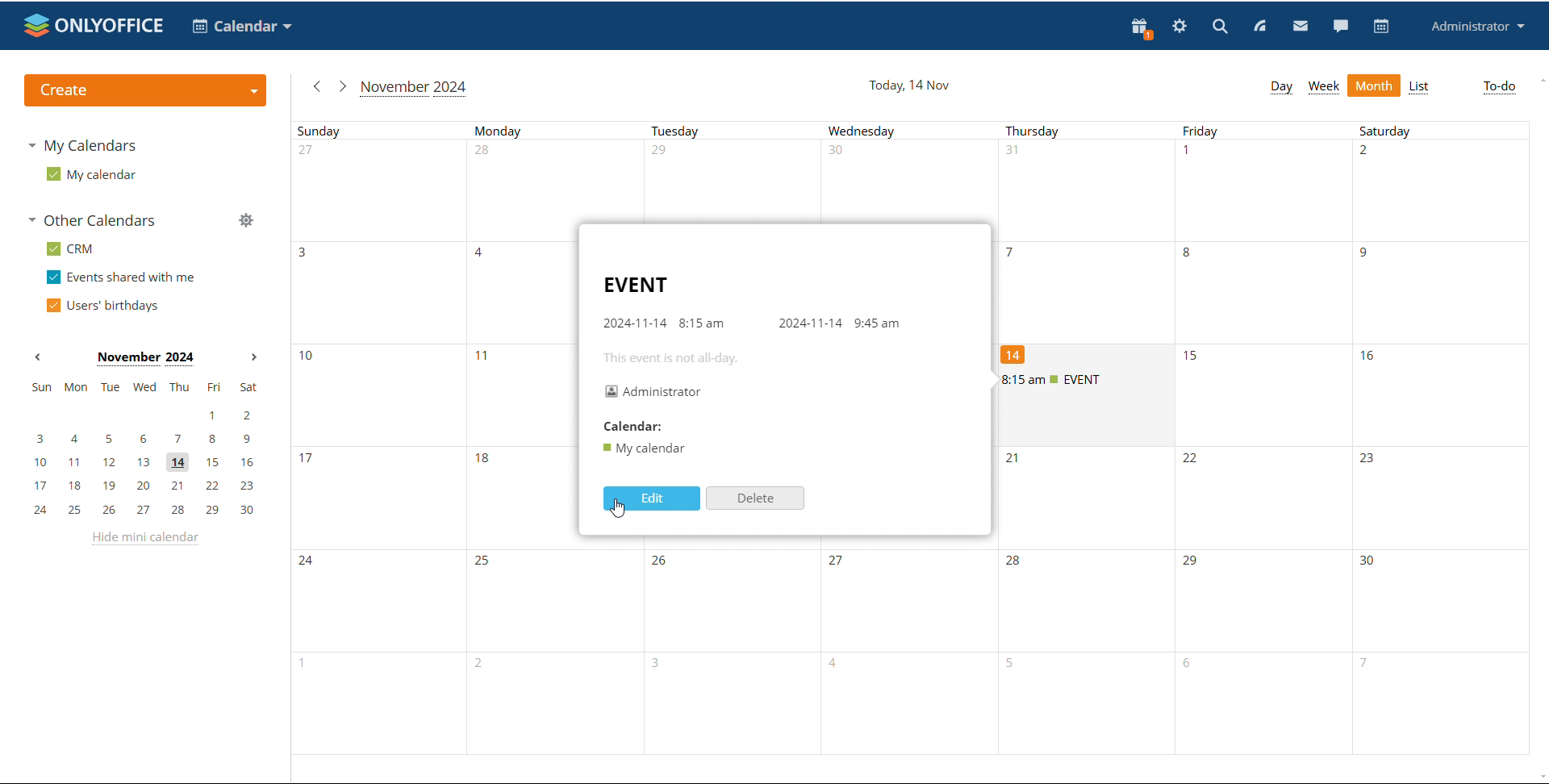 The height and width of the screenshot is (784, 1549). What do you see at coordinates (1382, 27) in the screenshot?
I see `calendar` at bounding box center [1382, 27].